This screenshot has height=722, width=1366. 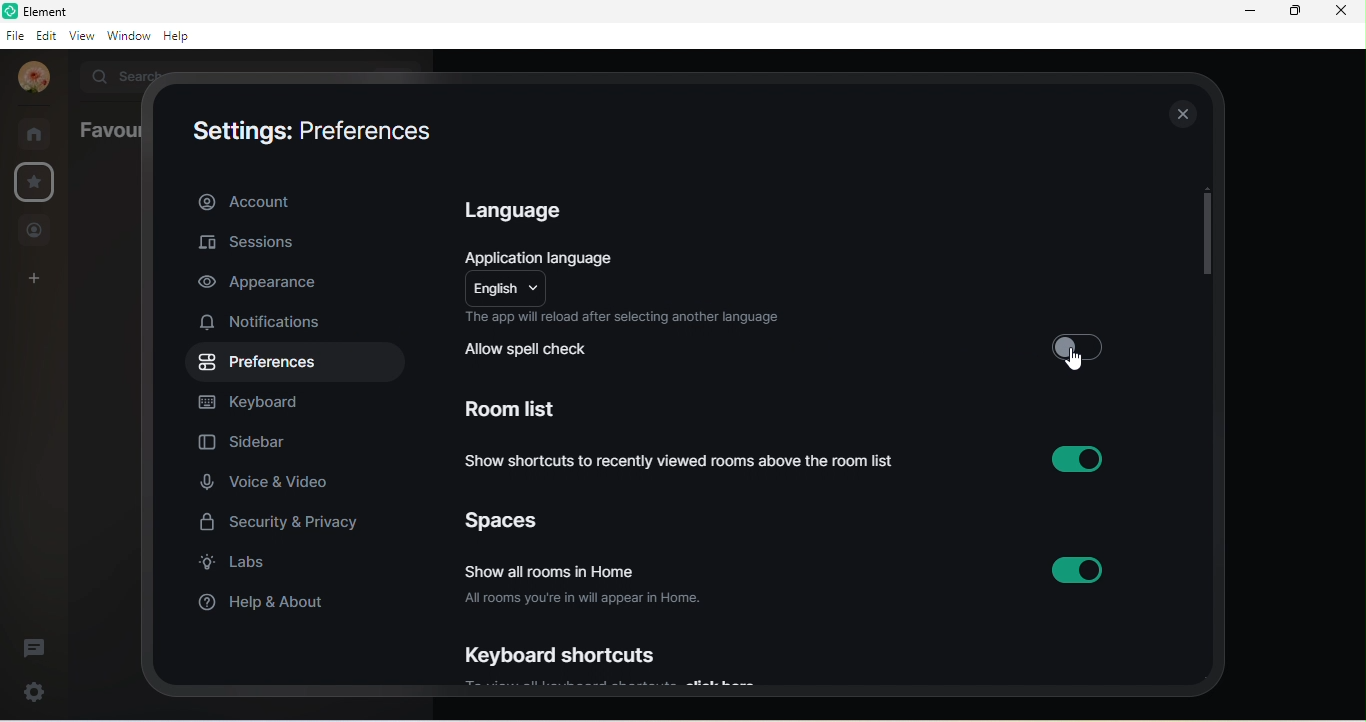 I want to click on labs, so click(x=234, y=562).